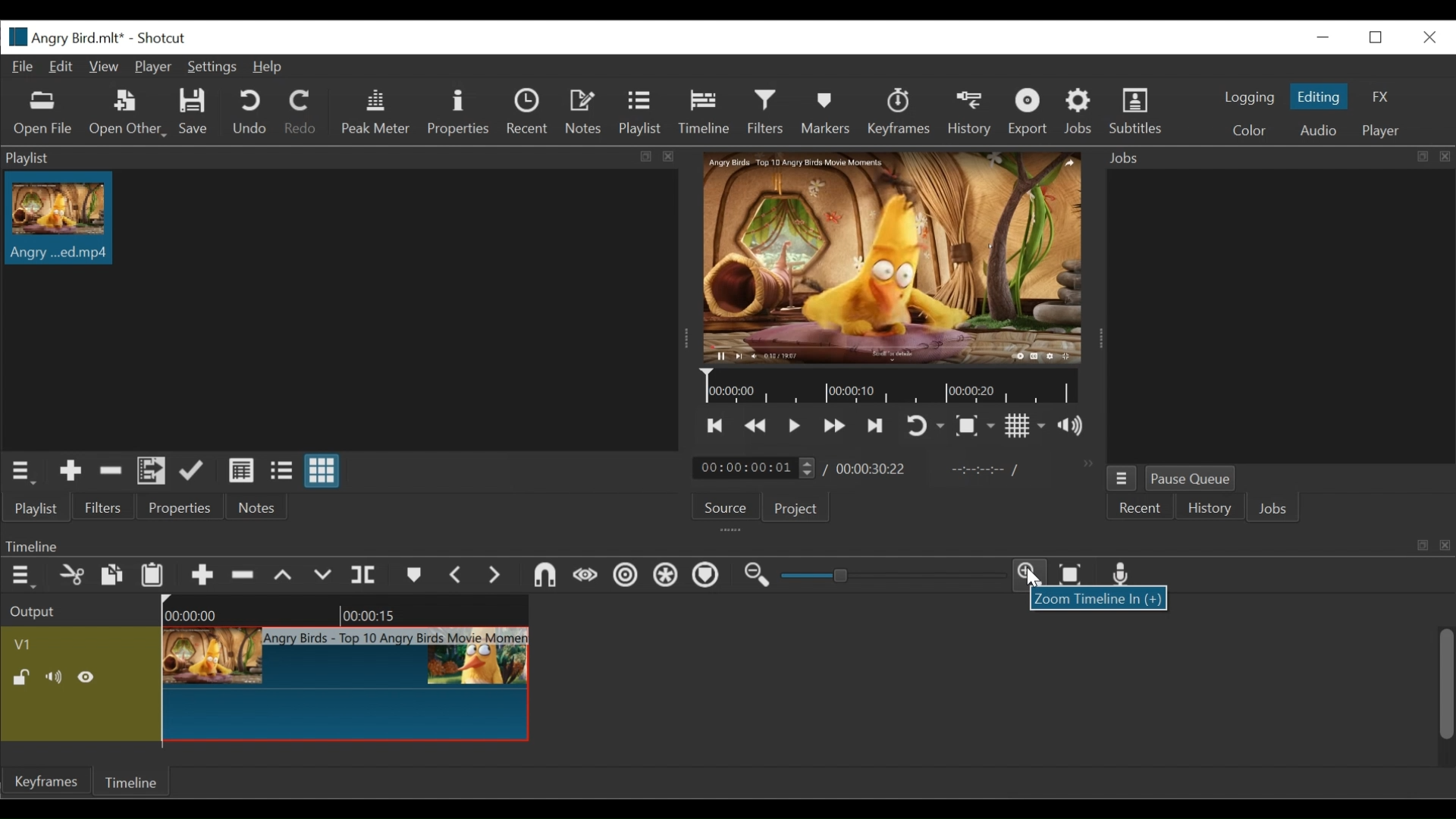 Image resolution: width=1456 pixels, height=819 pixels. Describe the element at coordinates (926, 425) in the screenshot. I see `Toggle player looping` at that location.